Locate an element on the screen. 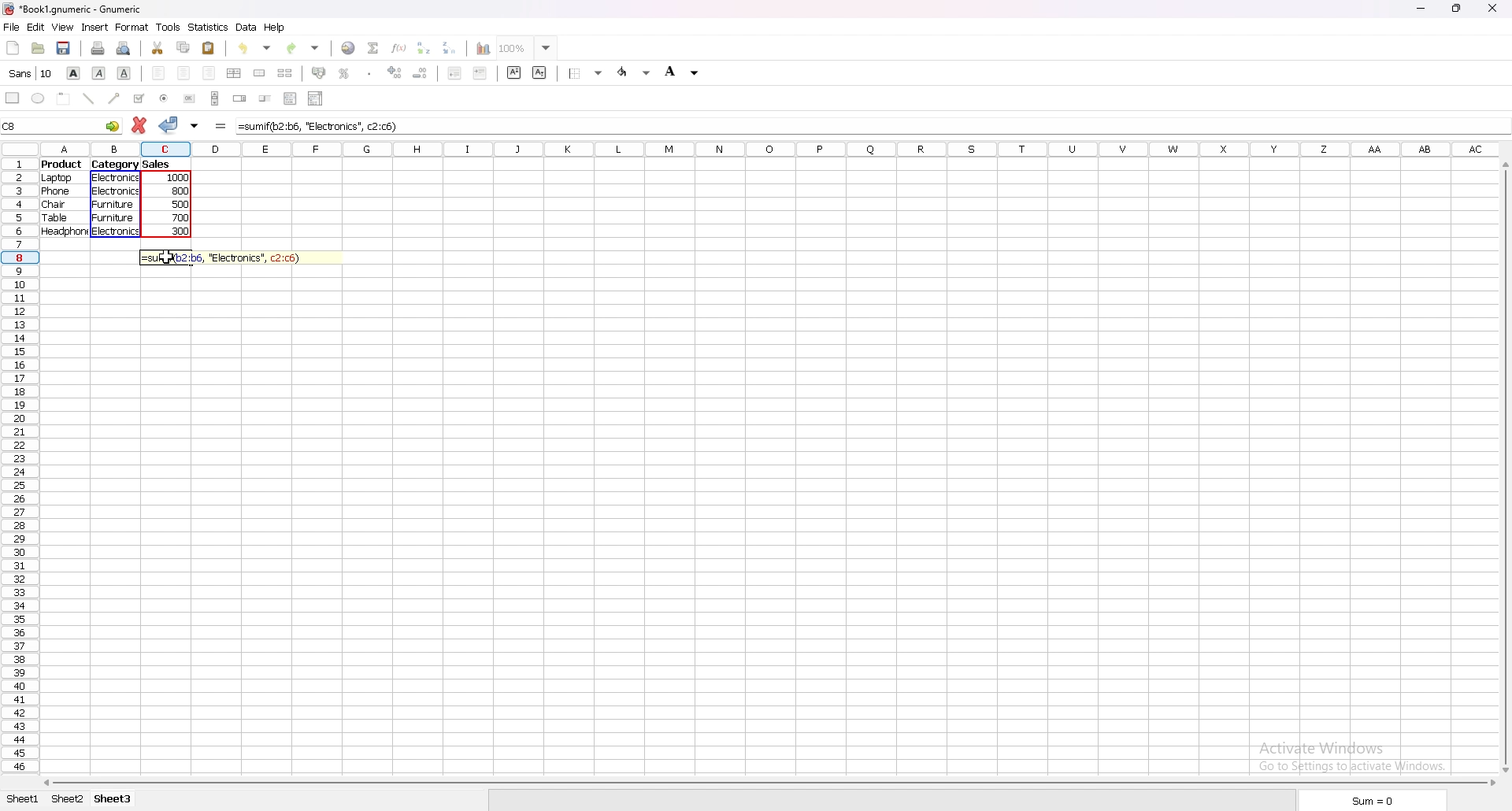  tools is located at coordinates (169, 27).